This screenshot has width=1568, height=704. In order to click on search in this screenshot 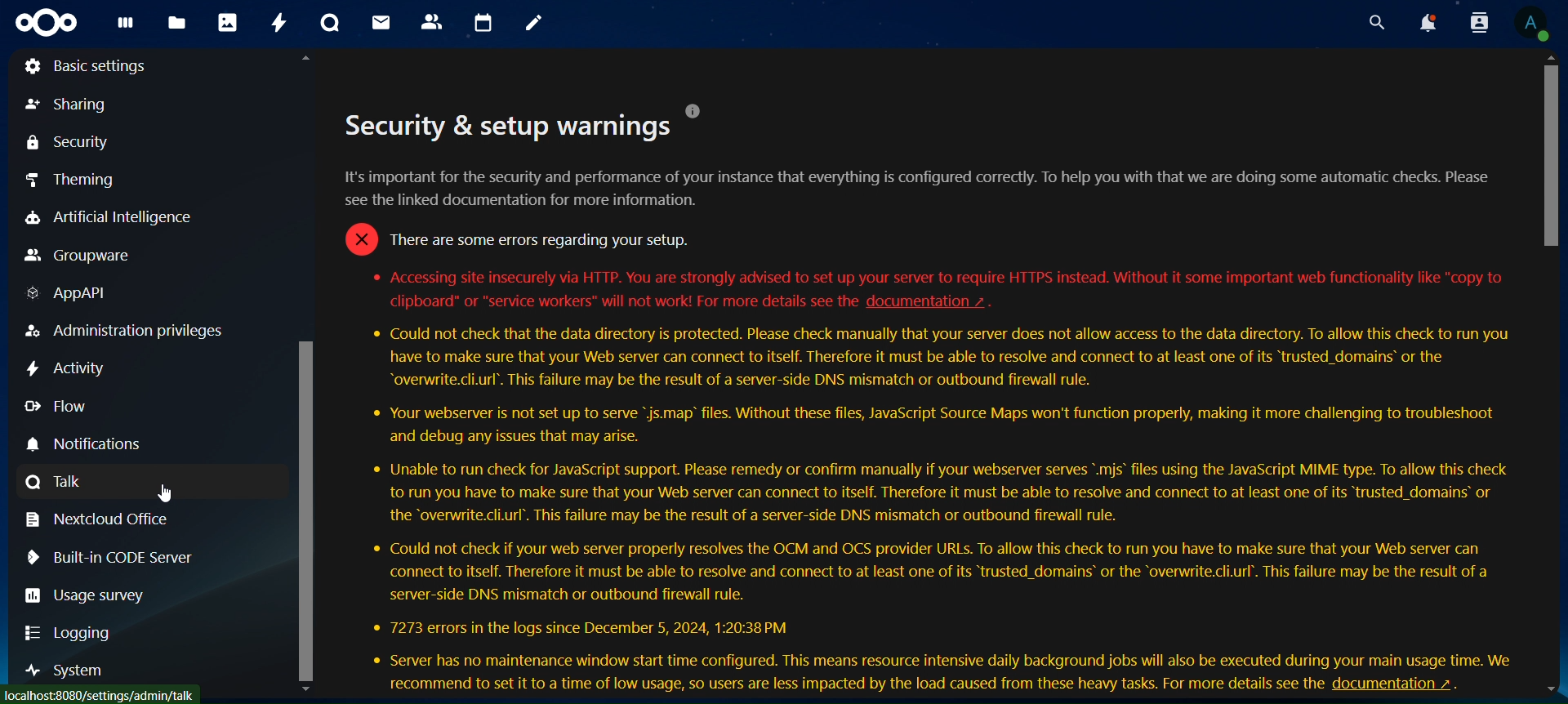, I will do `click(1379, 23)`.